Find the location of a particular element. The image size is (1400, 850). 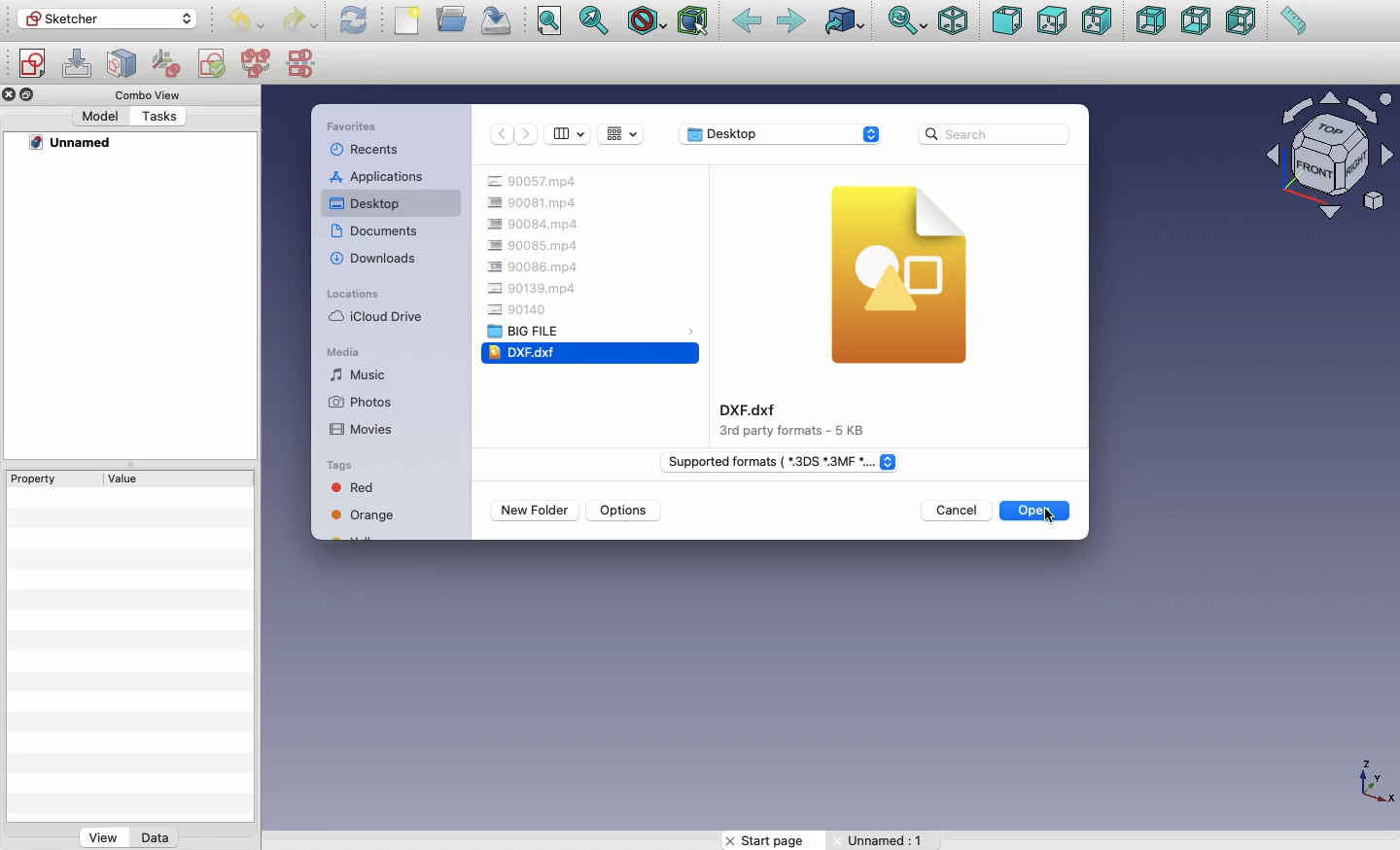

Combo view is located at coordinates (147, 96).